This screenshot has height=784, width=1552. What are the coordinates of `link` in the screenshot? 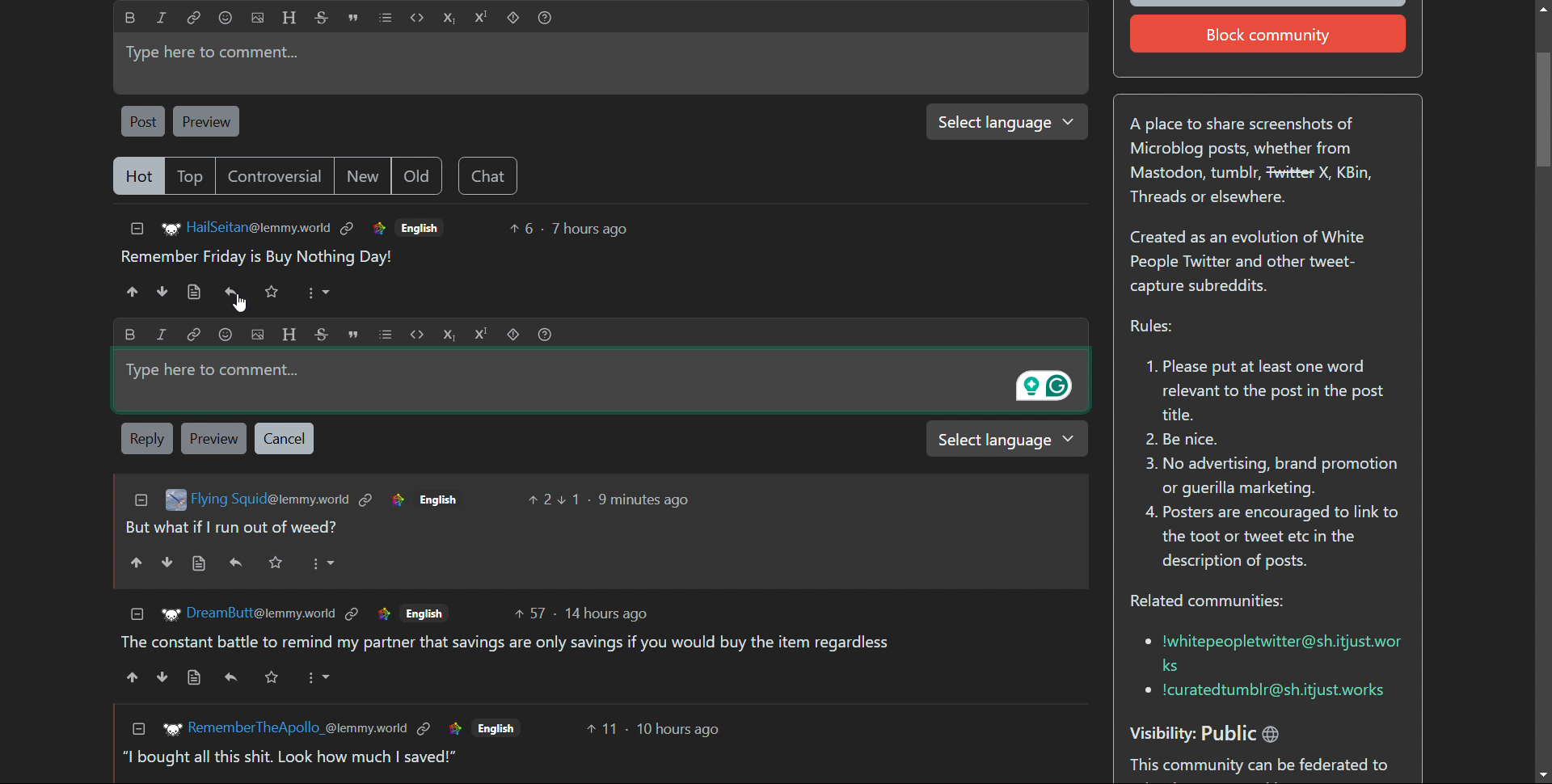 It's located at (449, 730).